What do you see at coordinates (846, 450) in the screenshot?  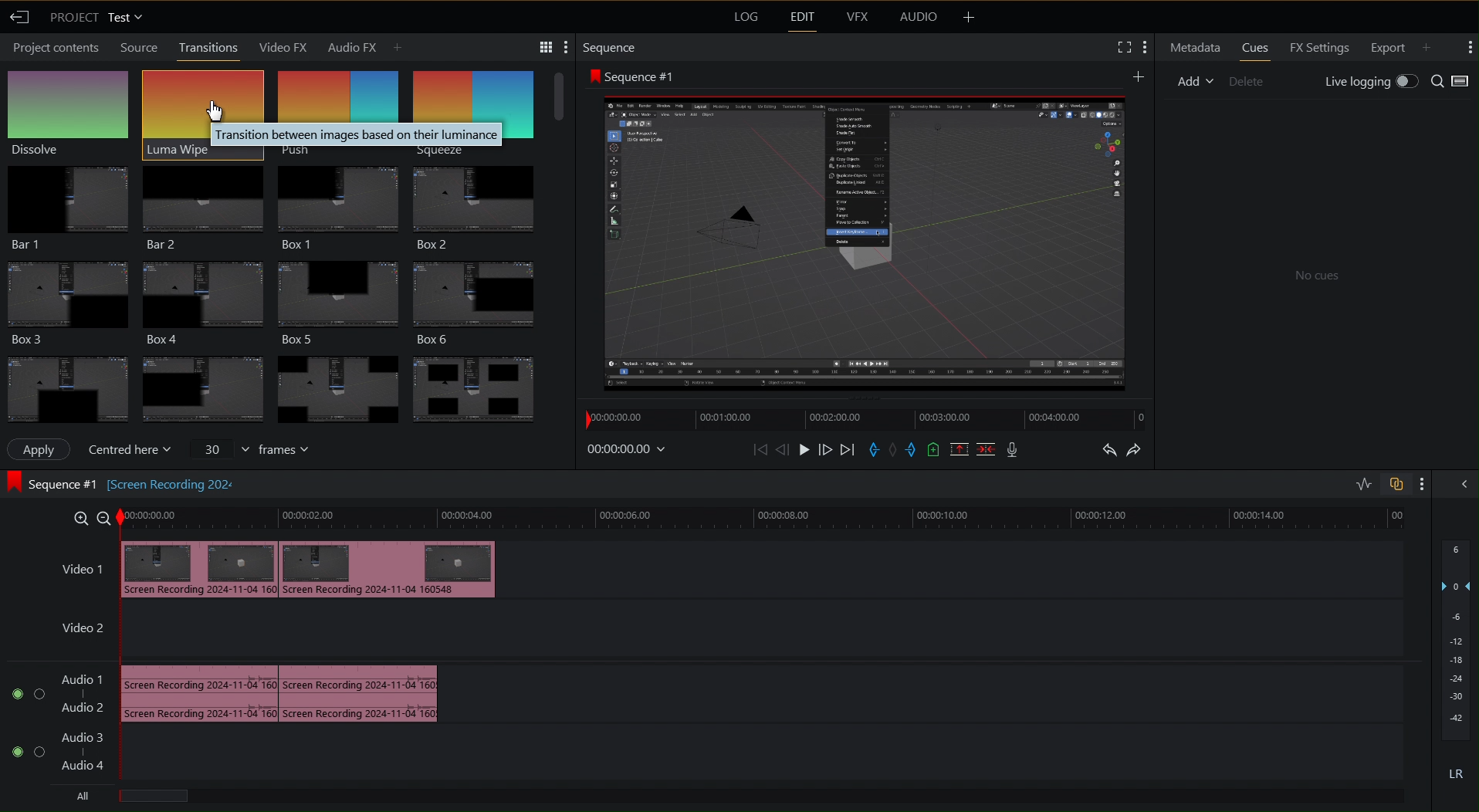 I see `Skip Forward` at bounding box center [846, 450].